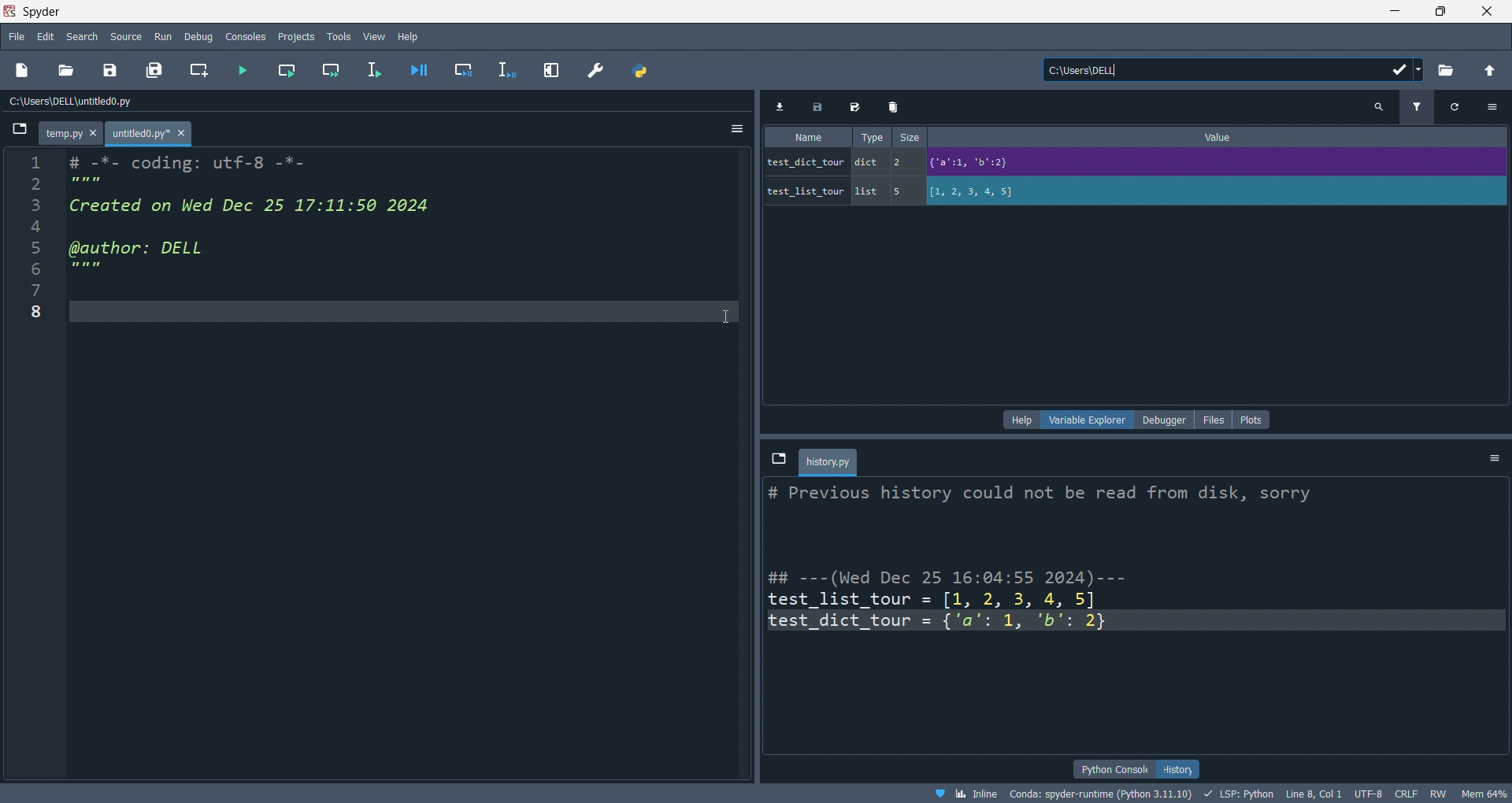 The width and height of the screenshot is (1512, 803). I want to click on inline, so click(965, 794).